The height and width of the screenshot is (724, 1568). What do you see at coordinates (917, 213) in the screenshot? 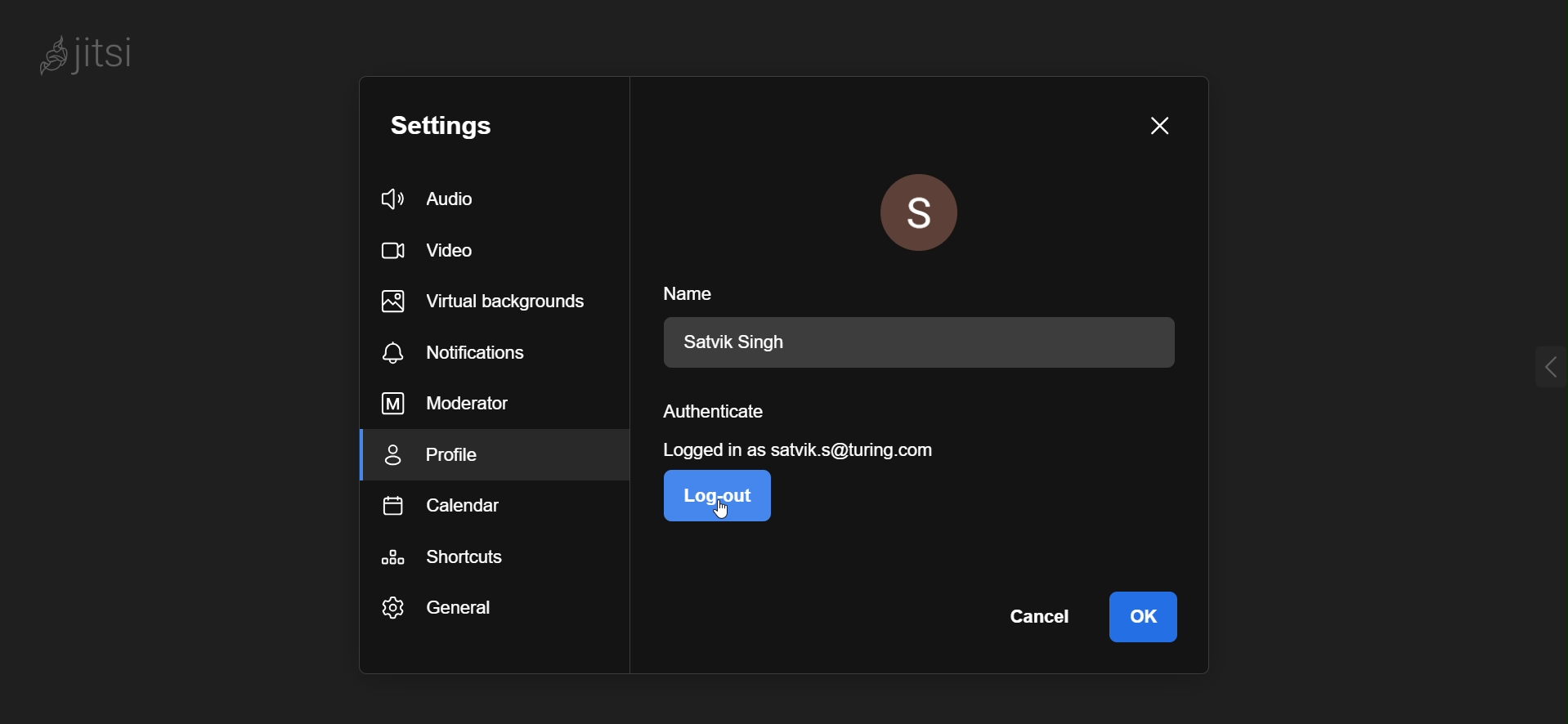
I see `profile picture` at bounding box center [917, 213].